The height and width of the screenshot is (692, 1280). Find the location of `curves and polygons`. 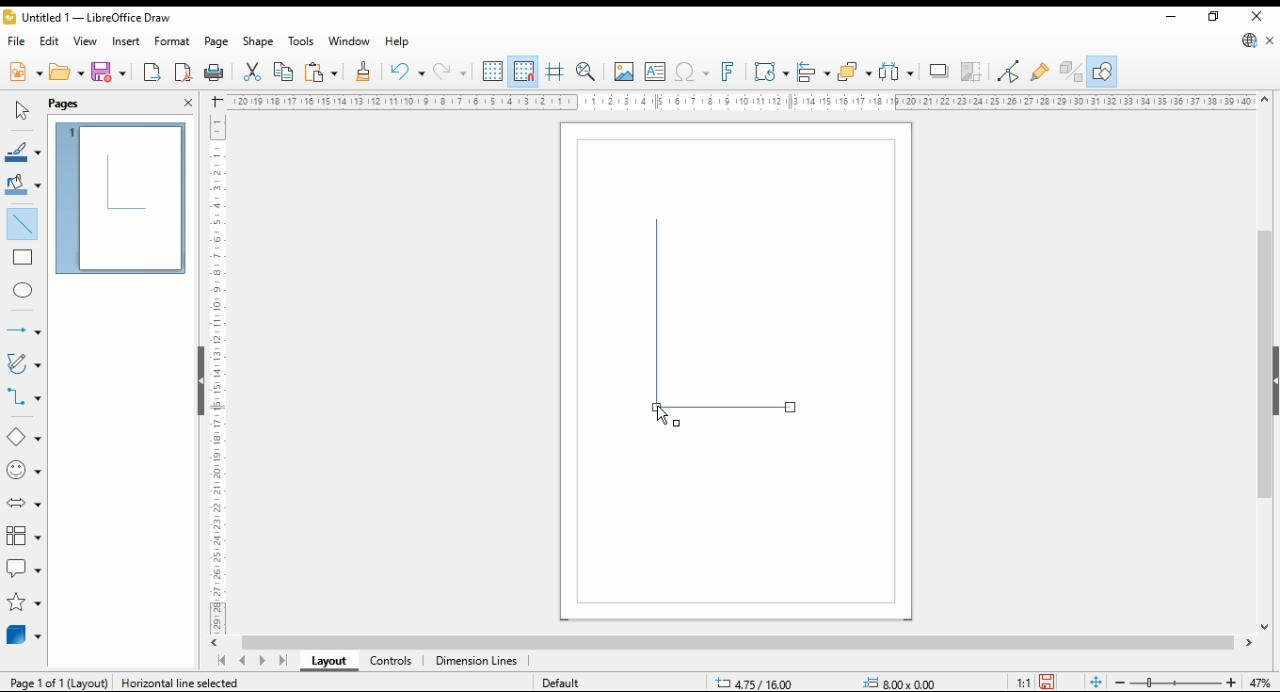

curves and polygons is located at coordinates (25, 363).